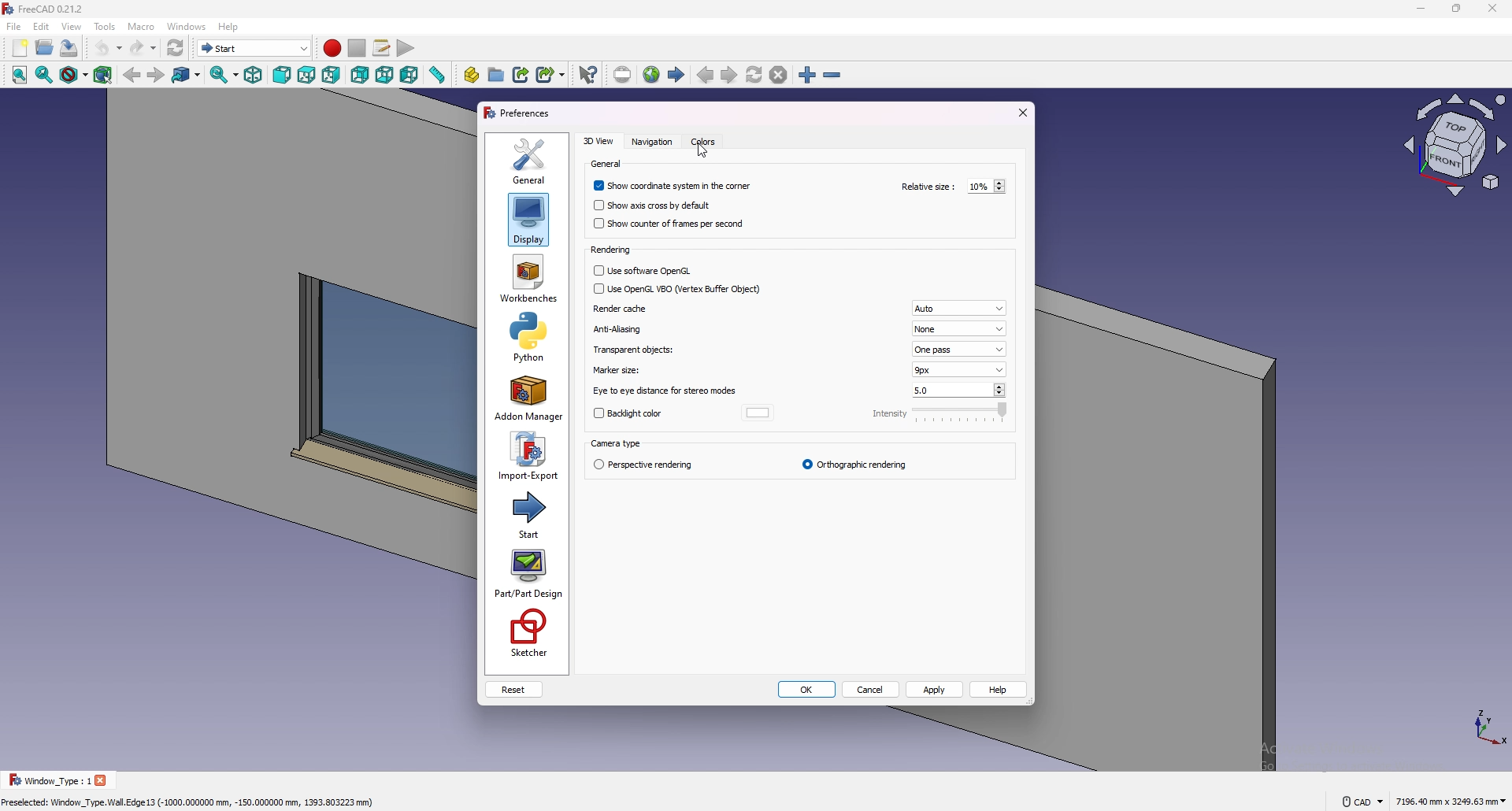  What do you see at coordinates (600, 141) in the screenshot?
I see `3d view` at bounding box center [600, 141].